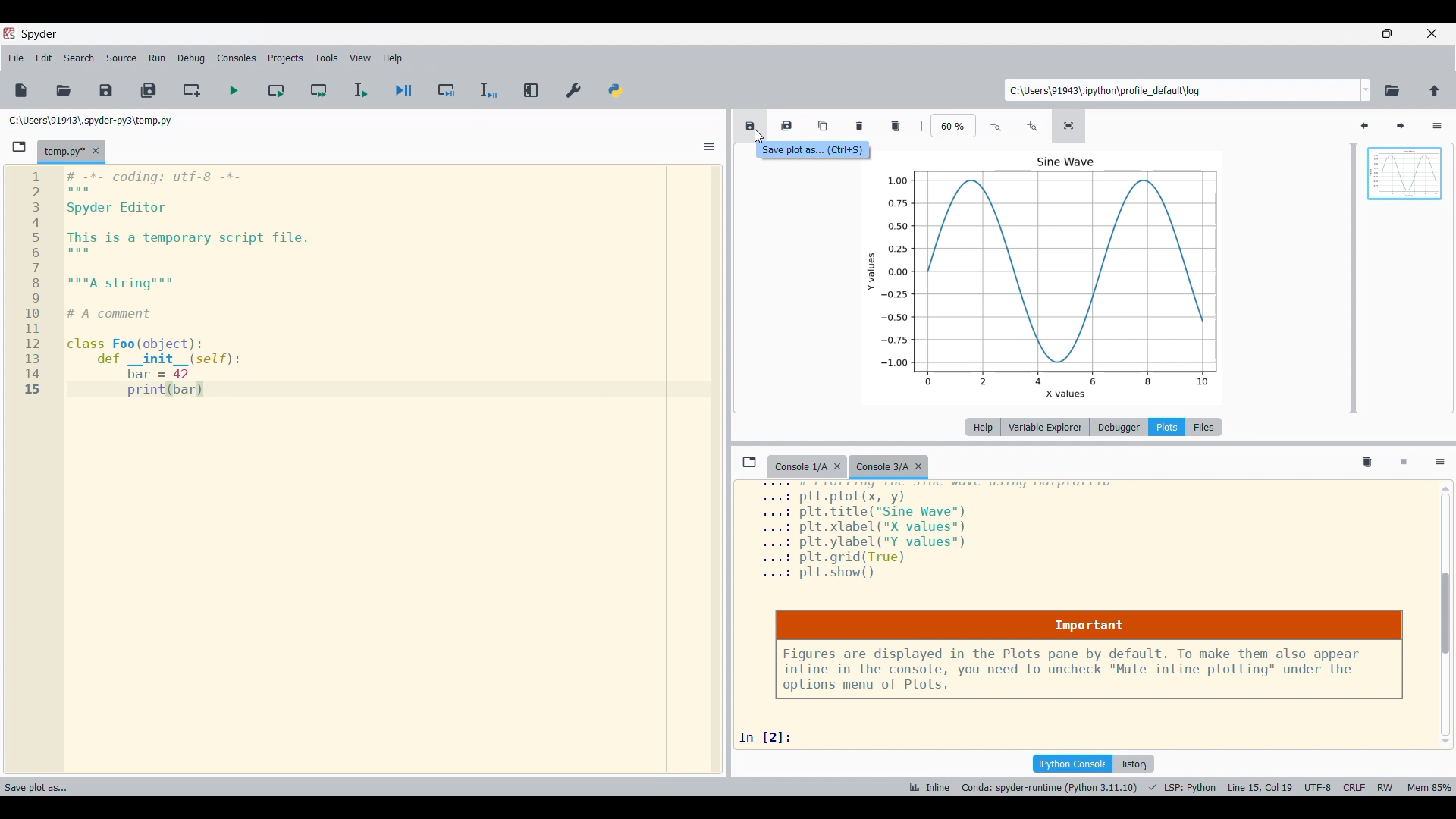 Image resolution: width=1456 pixels, height=819 pixels. What do you see at coordinates (807, 467) in the screenshot?
I see `Older tab` at bounding box center [807, 467].